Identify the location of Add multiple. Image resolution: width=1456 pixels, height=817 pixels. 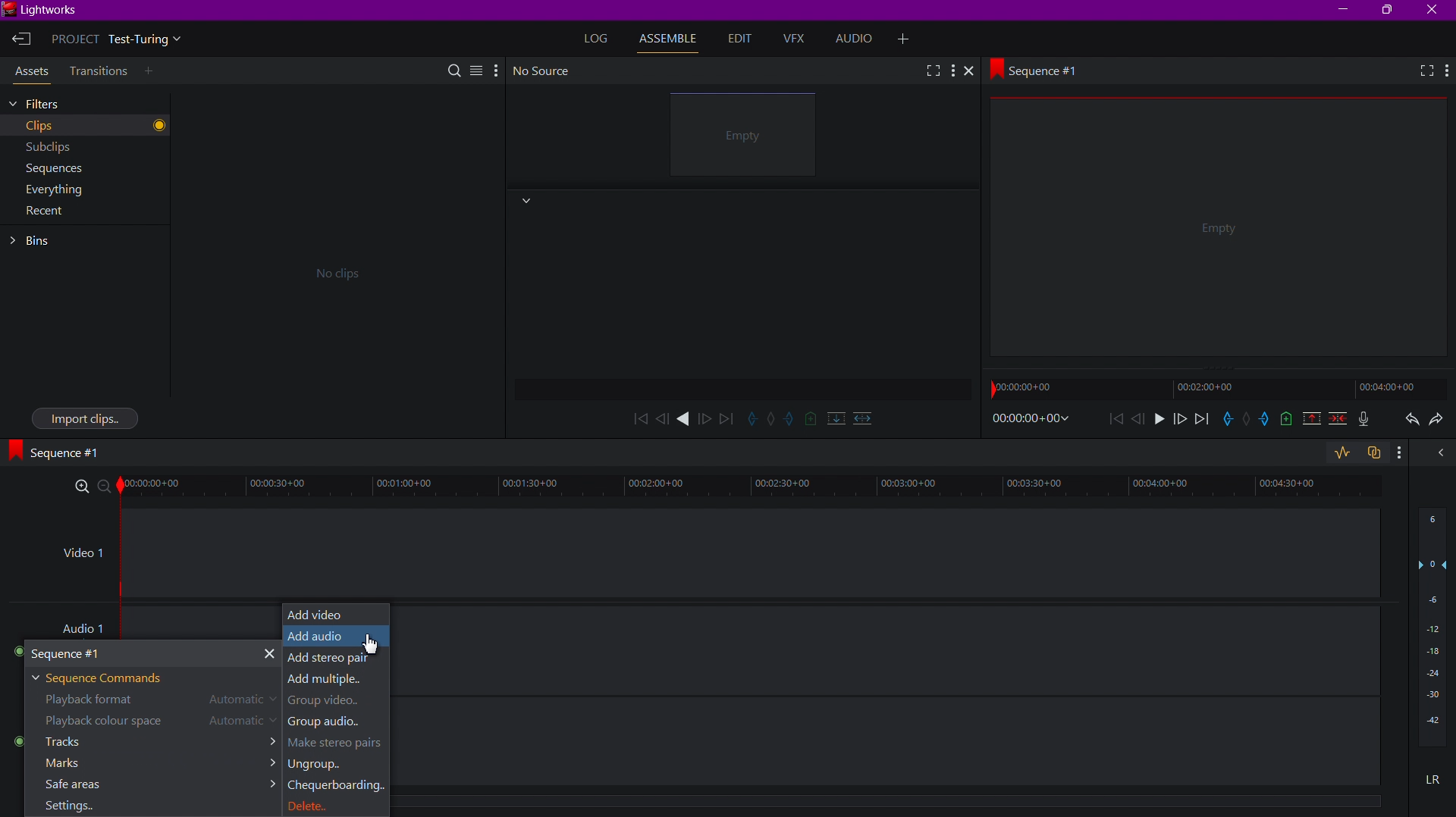
(336, 681).